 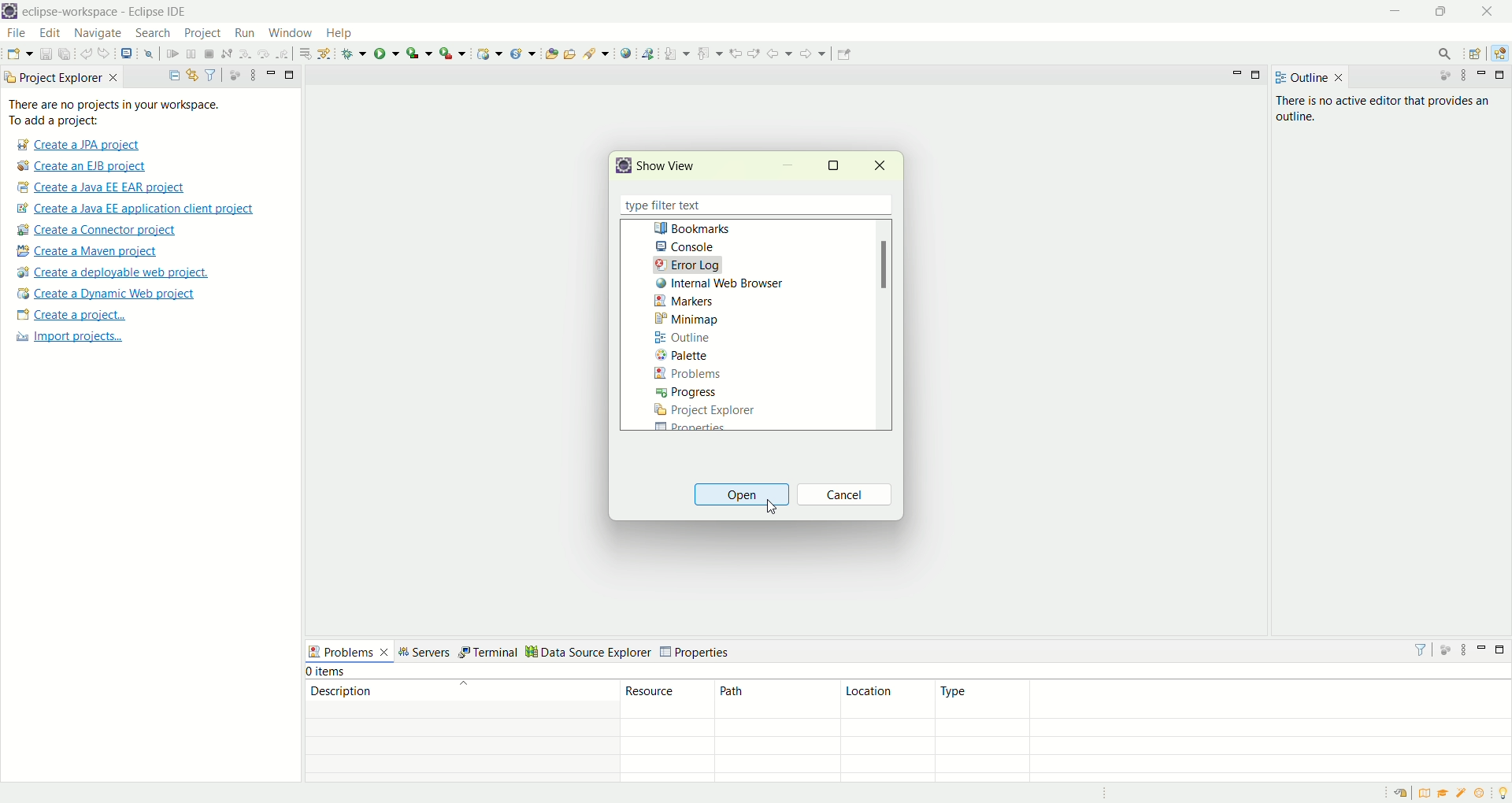 What do you see at coordinates (243, 34) in the screenshot?
I see `run` at bounding box center [243, 34].